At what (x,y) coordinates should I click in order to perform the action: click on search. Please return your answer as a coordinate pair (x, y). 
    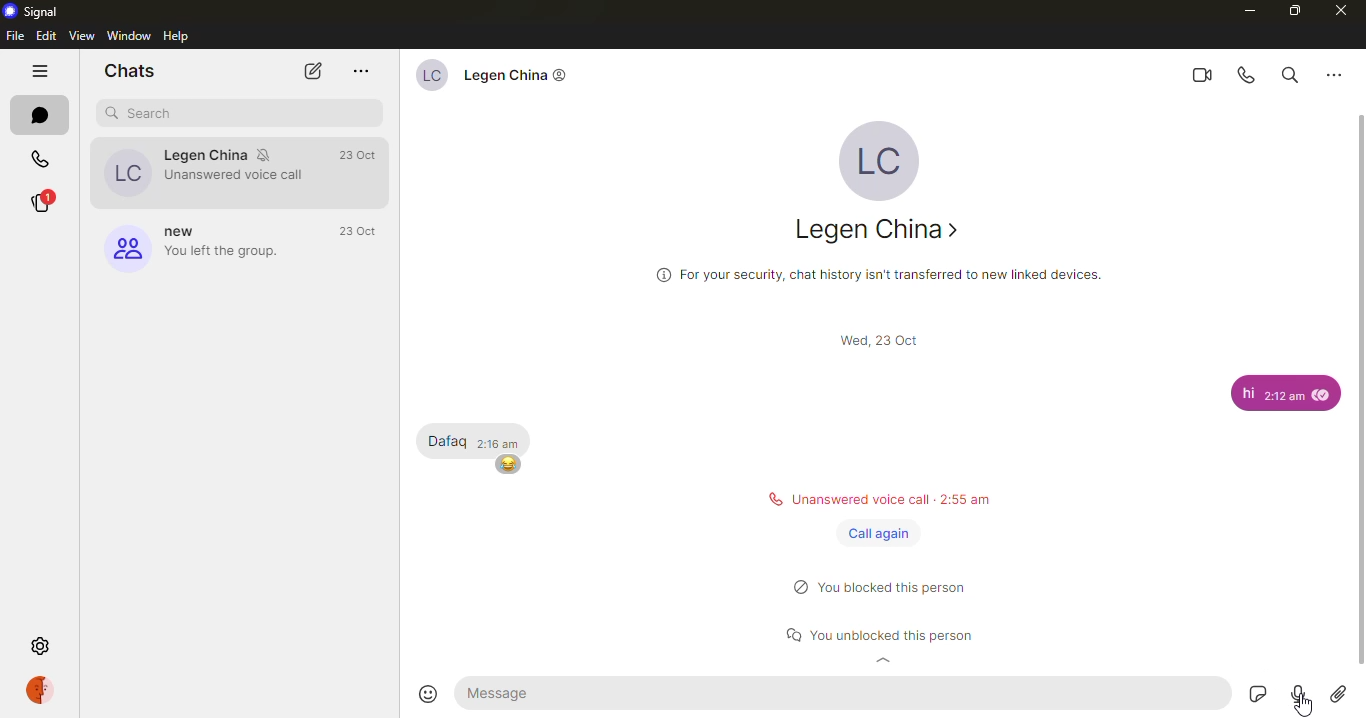
    Looking at the image, I should click on (145, 113).